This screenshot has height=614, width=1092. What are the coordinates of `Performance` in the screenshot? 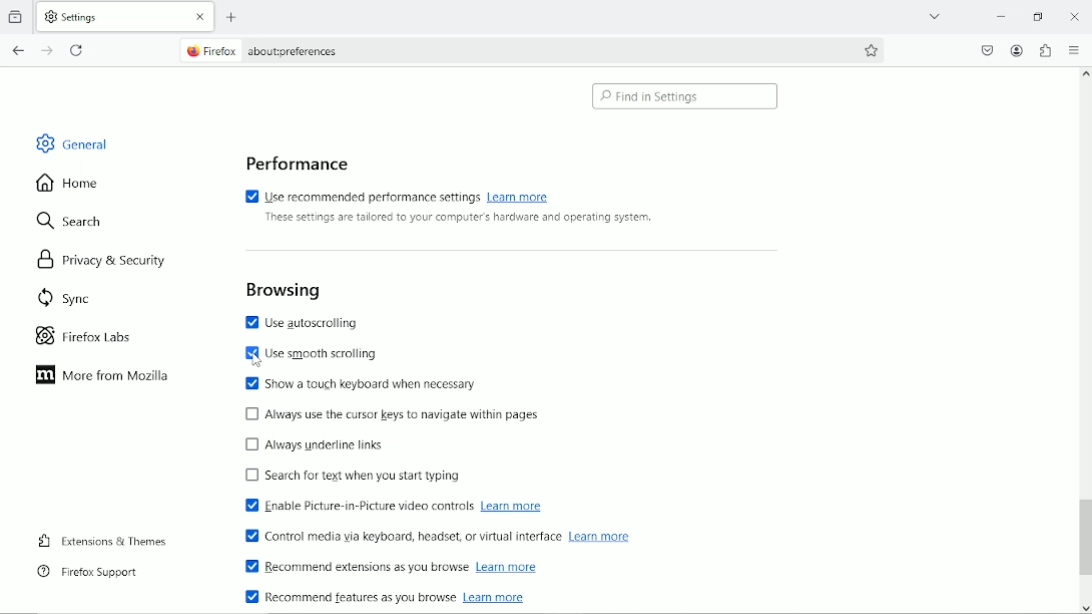 It's located at (293, 161).